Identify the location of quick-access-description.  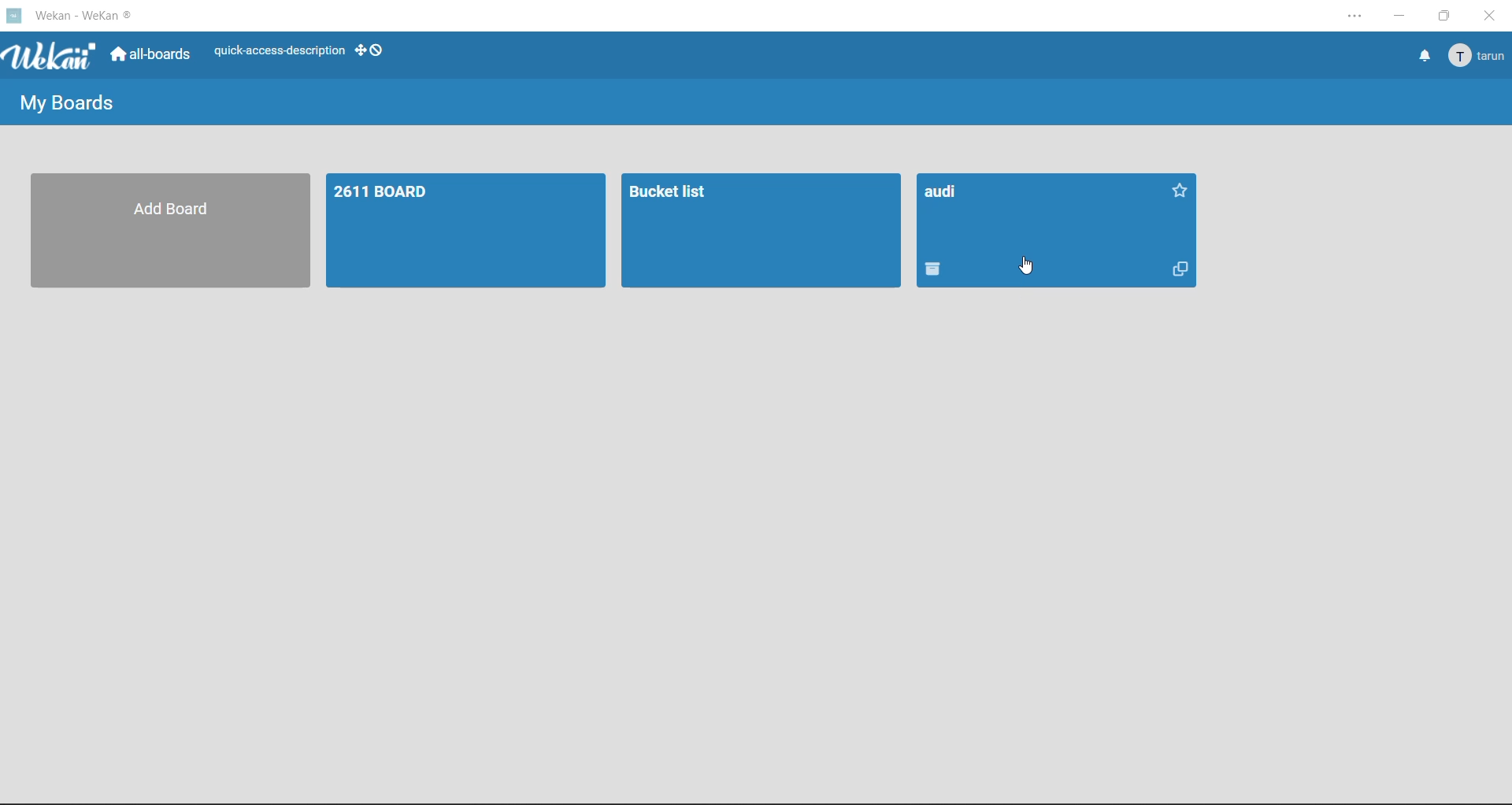
(277, 51).